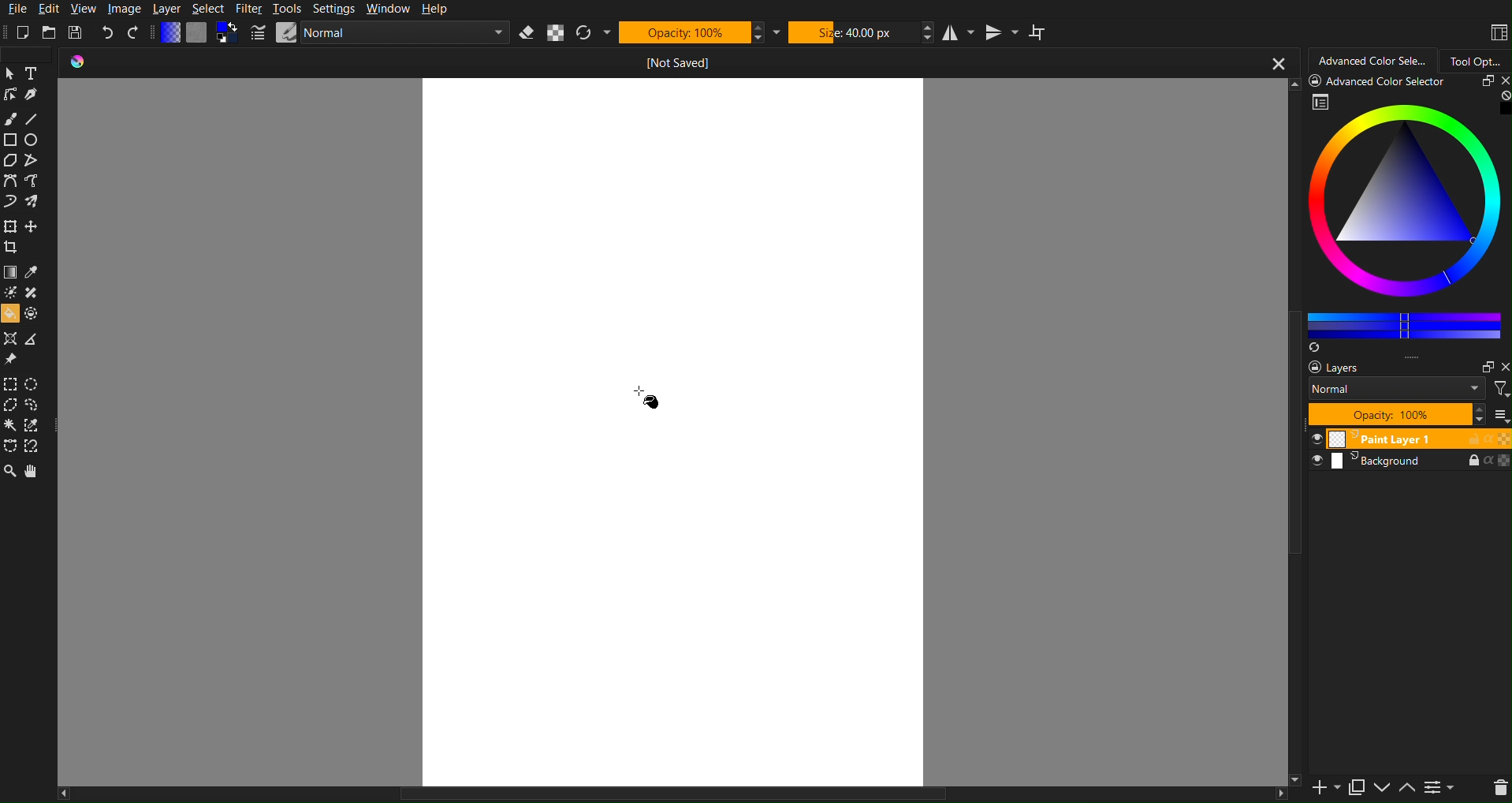 The image size is (1512, 803). What do you see at coordinates (74, 32) in the screenshot?
I see `Save` at bounding box center [74, 32].